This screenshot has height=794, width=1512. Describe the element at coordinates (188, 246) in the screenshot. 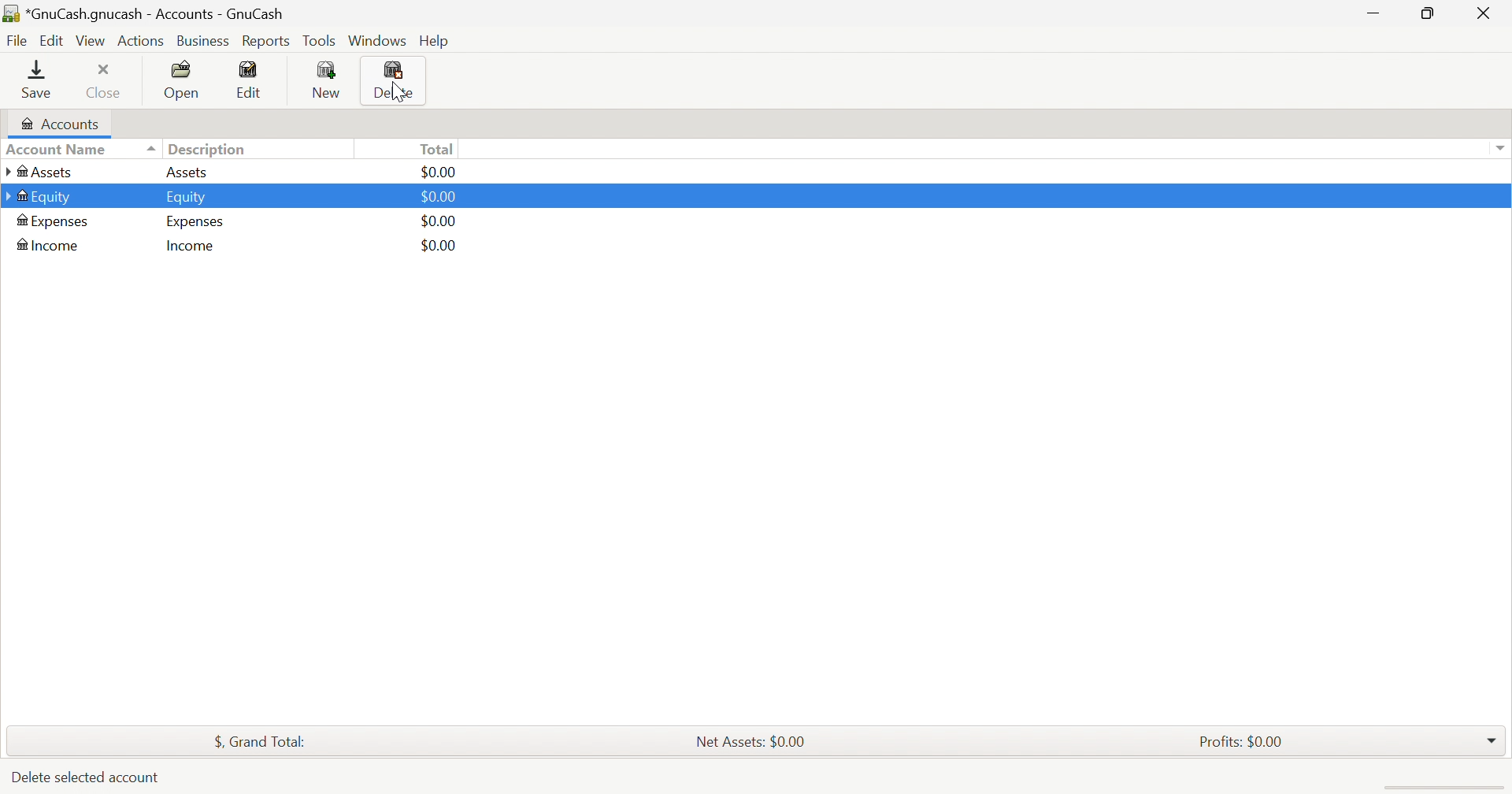

I see `Income` at that location.